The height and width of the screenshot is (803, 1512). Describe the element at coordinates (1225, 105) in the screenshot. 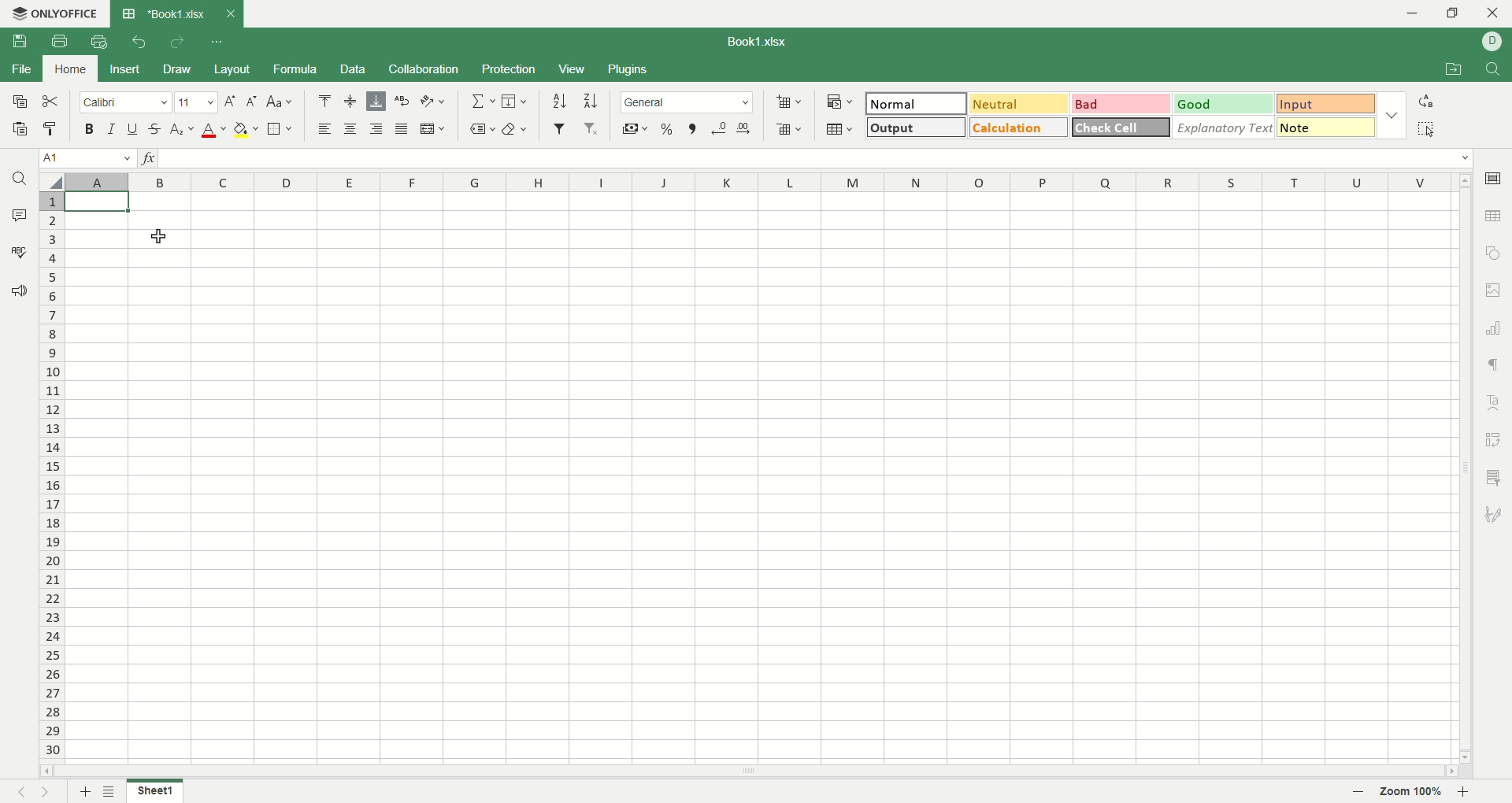

I see `good` at that location.